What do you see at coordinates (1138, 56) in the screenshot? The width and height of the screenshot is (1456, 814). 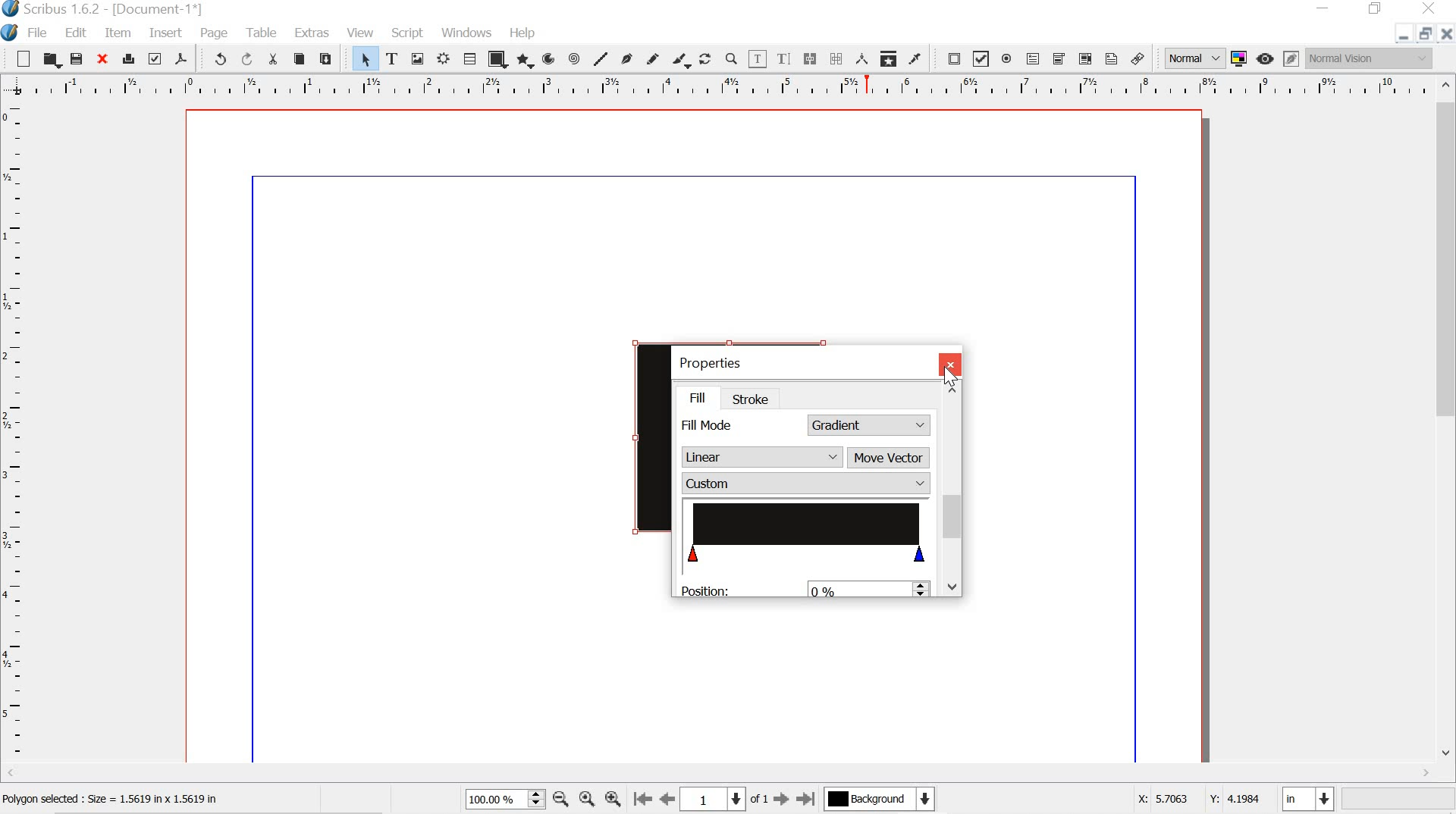 I see `link annotation` at bounding box center [1138, 56].